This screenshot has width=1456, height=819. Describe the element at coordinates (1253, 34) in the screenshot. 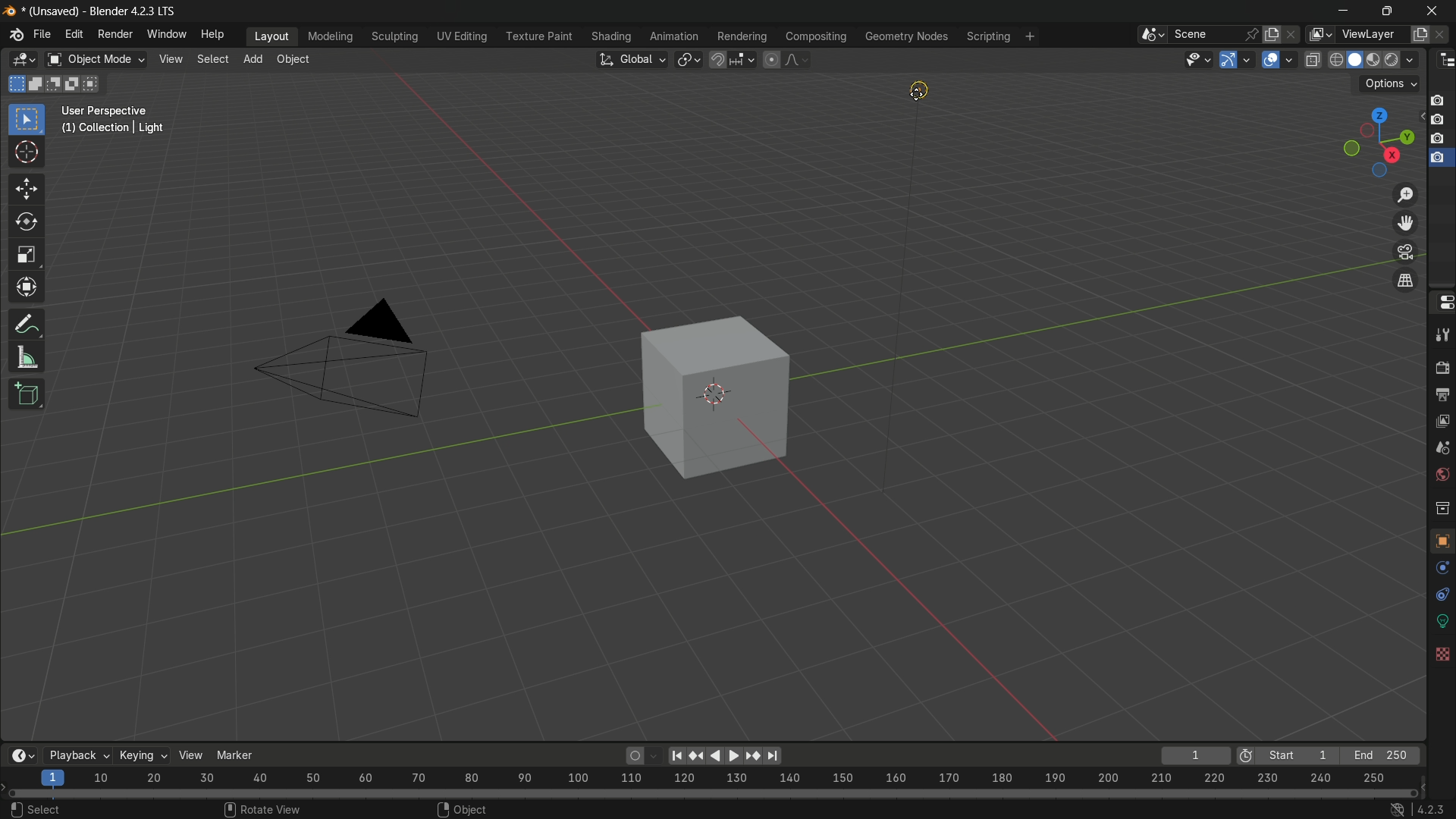

I see `pin scene to workspace` at that location.